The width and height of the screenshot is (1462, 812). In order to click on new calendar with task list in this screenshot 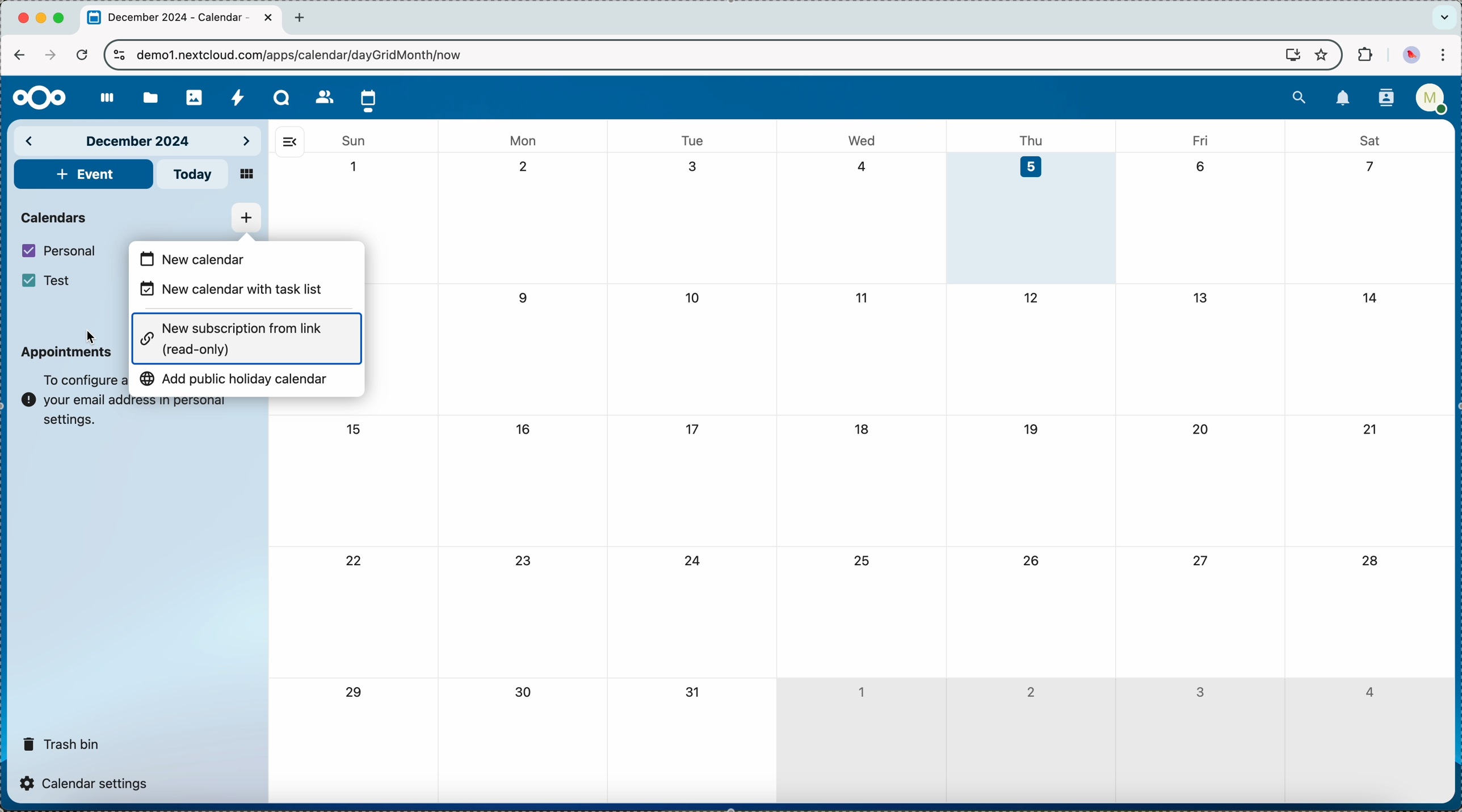, I will do `click(237, 292)`.